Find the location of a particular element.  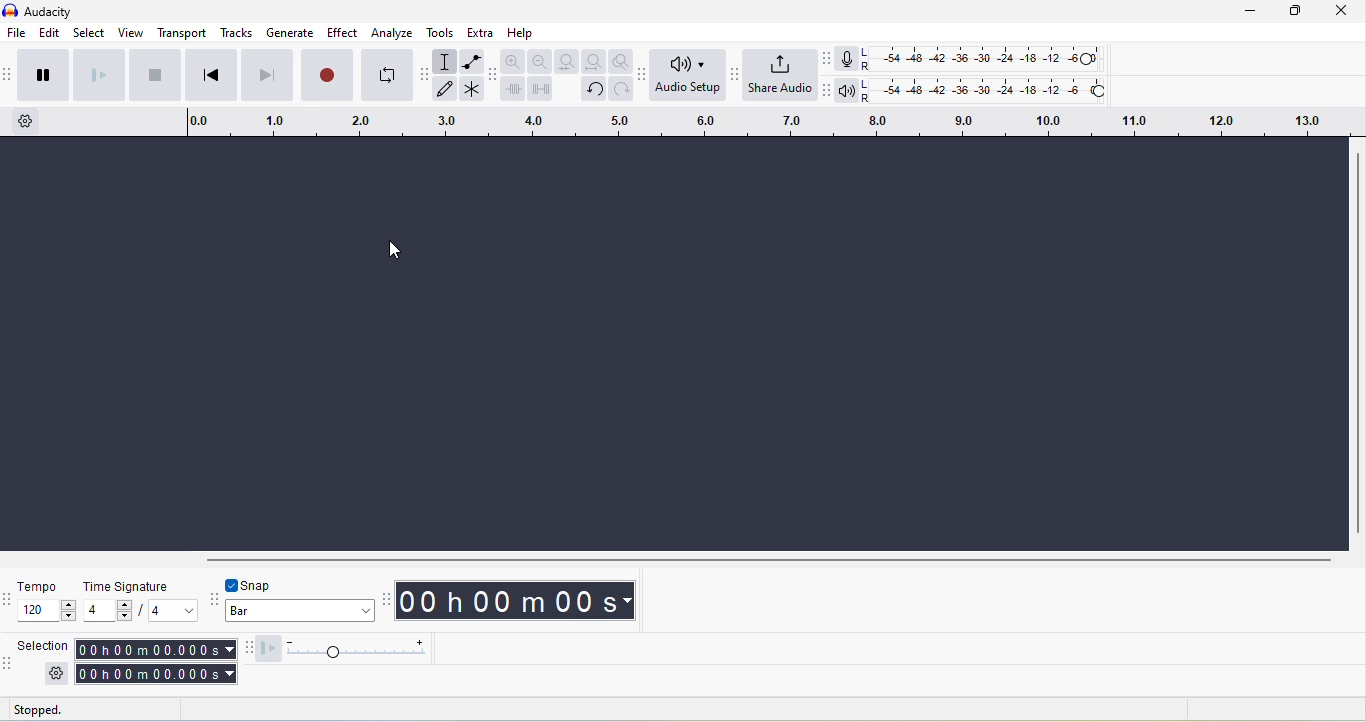

pause is located at coordinates (45, 75).